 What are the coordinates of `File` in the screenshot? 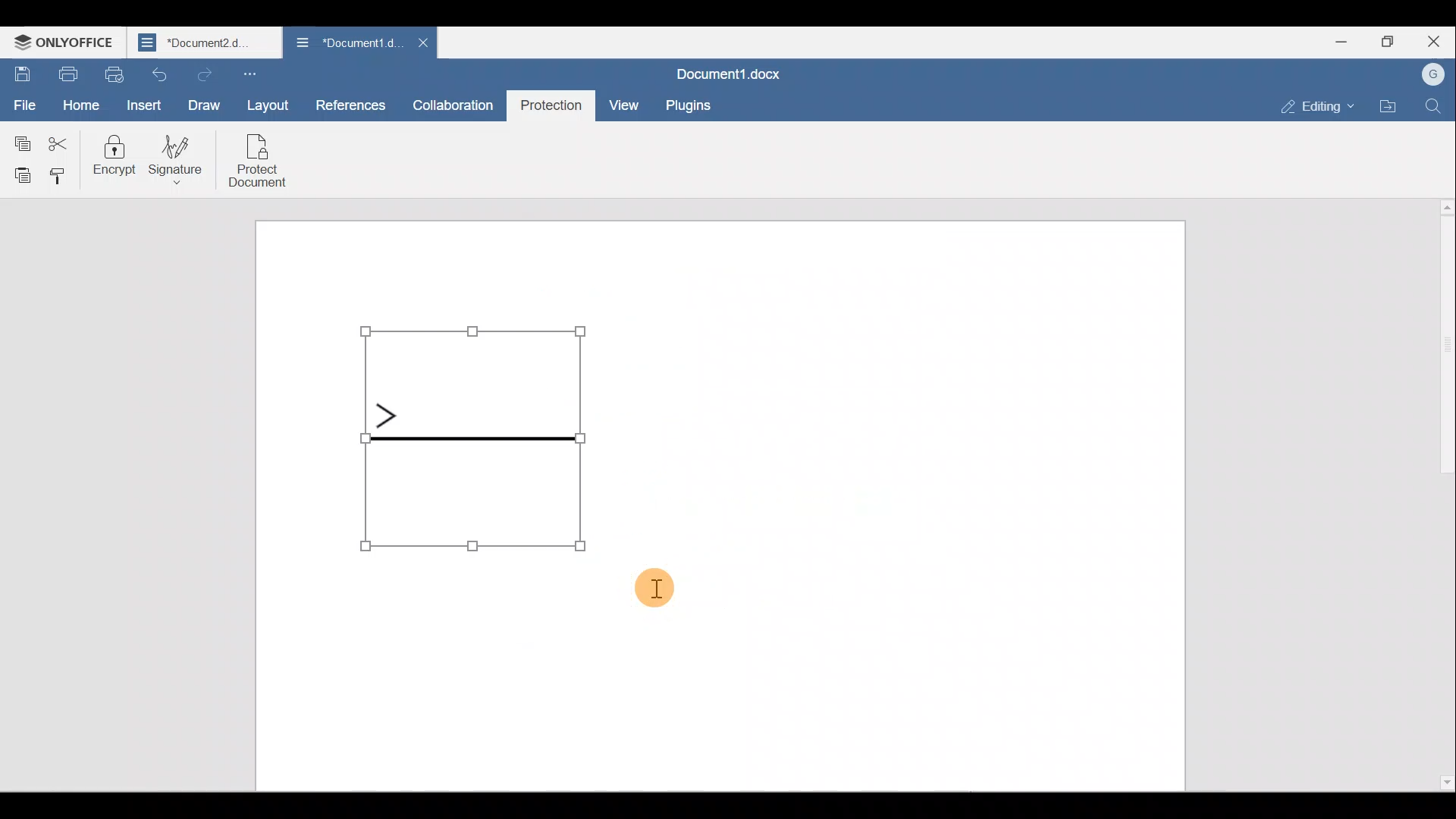 It's located at (23, 106).